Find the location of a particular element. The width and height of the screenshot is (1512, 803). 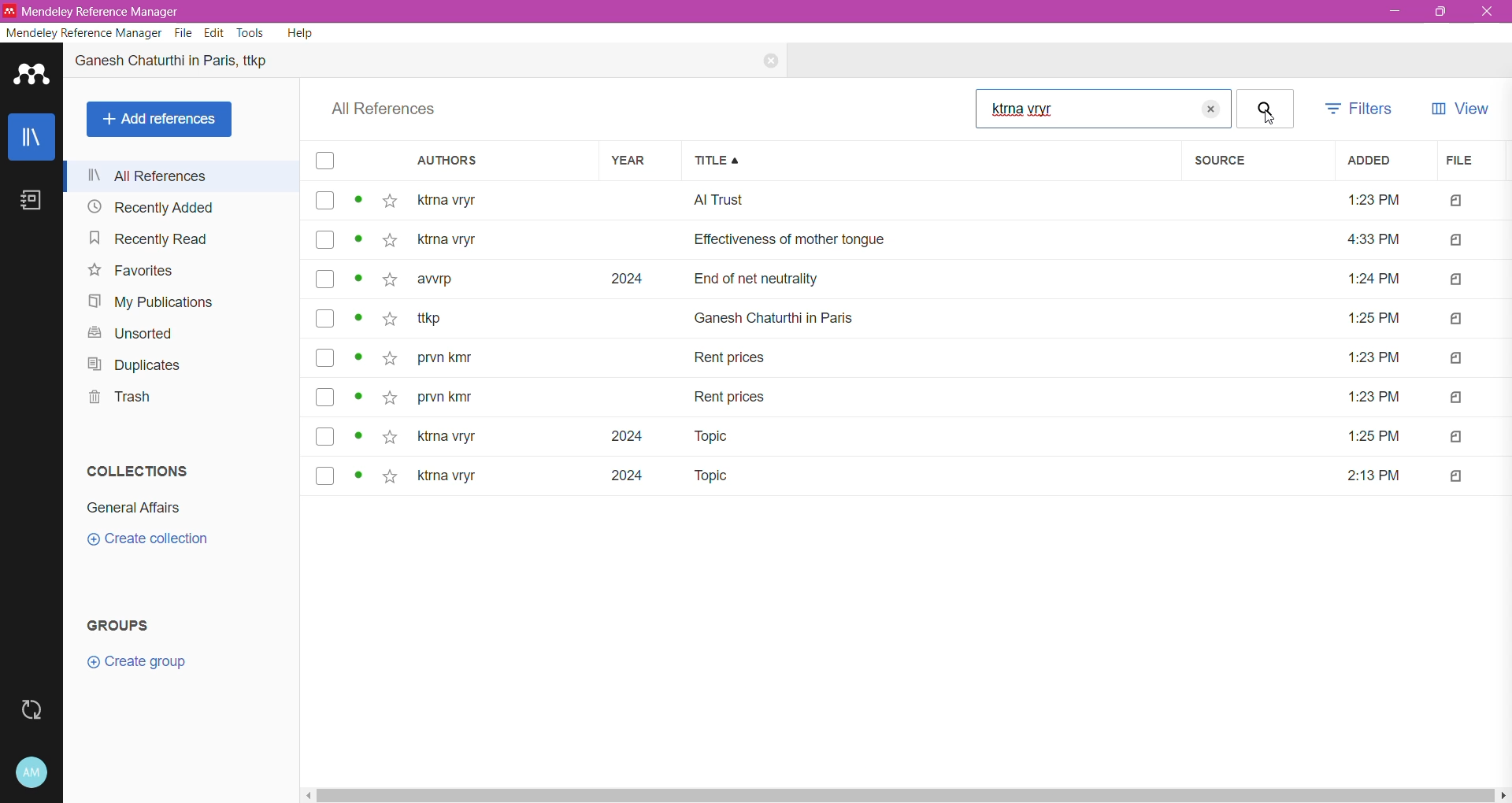

move right is located at coordinates (1503, 794).